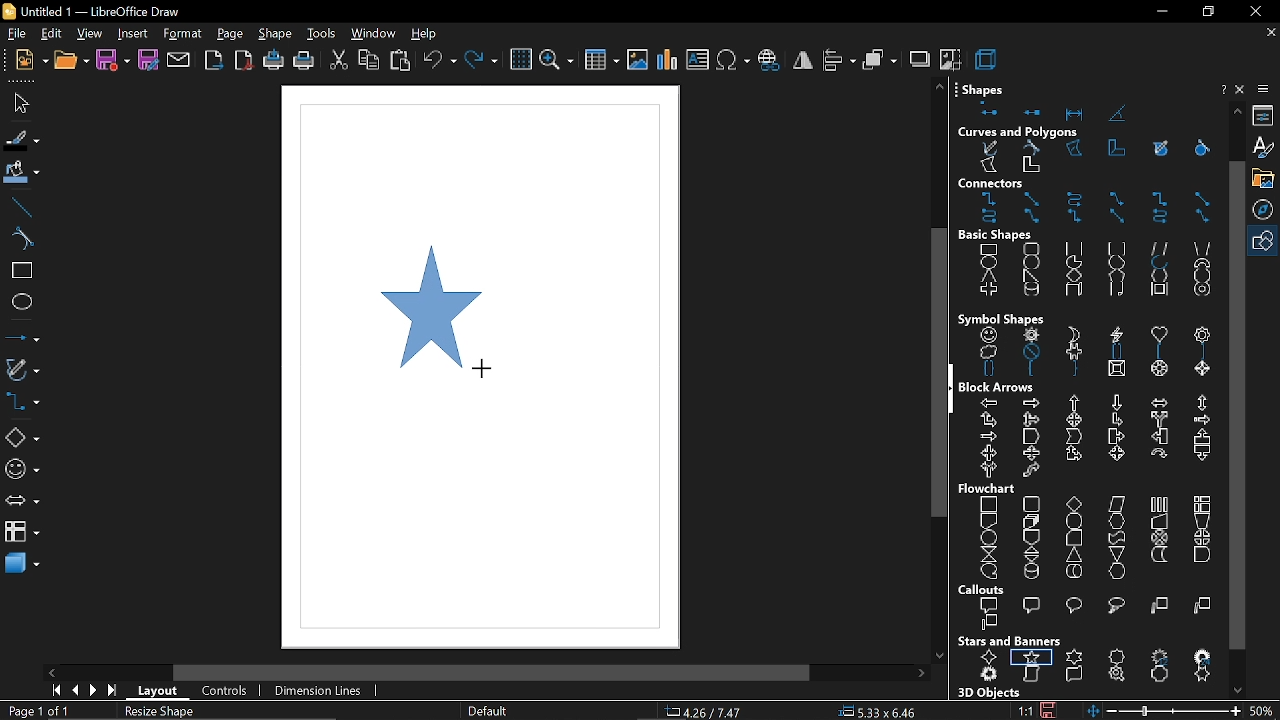  Describe the element at coordinates (368, 61) in the screenshot. I see `copy` at that location.